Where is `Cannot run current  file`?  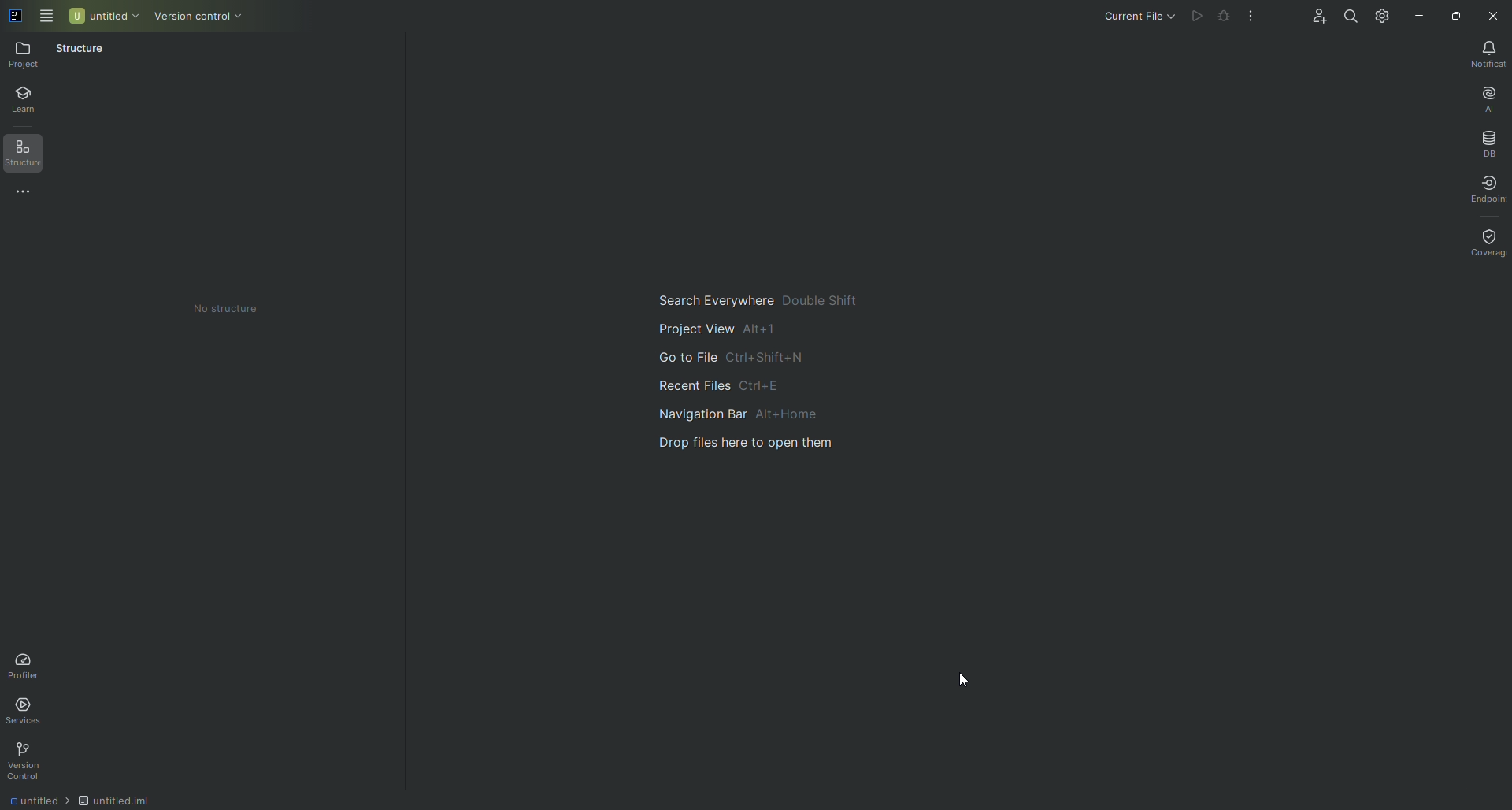
Cannot run current  file is located at coordinates (1226, 19).